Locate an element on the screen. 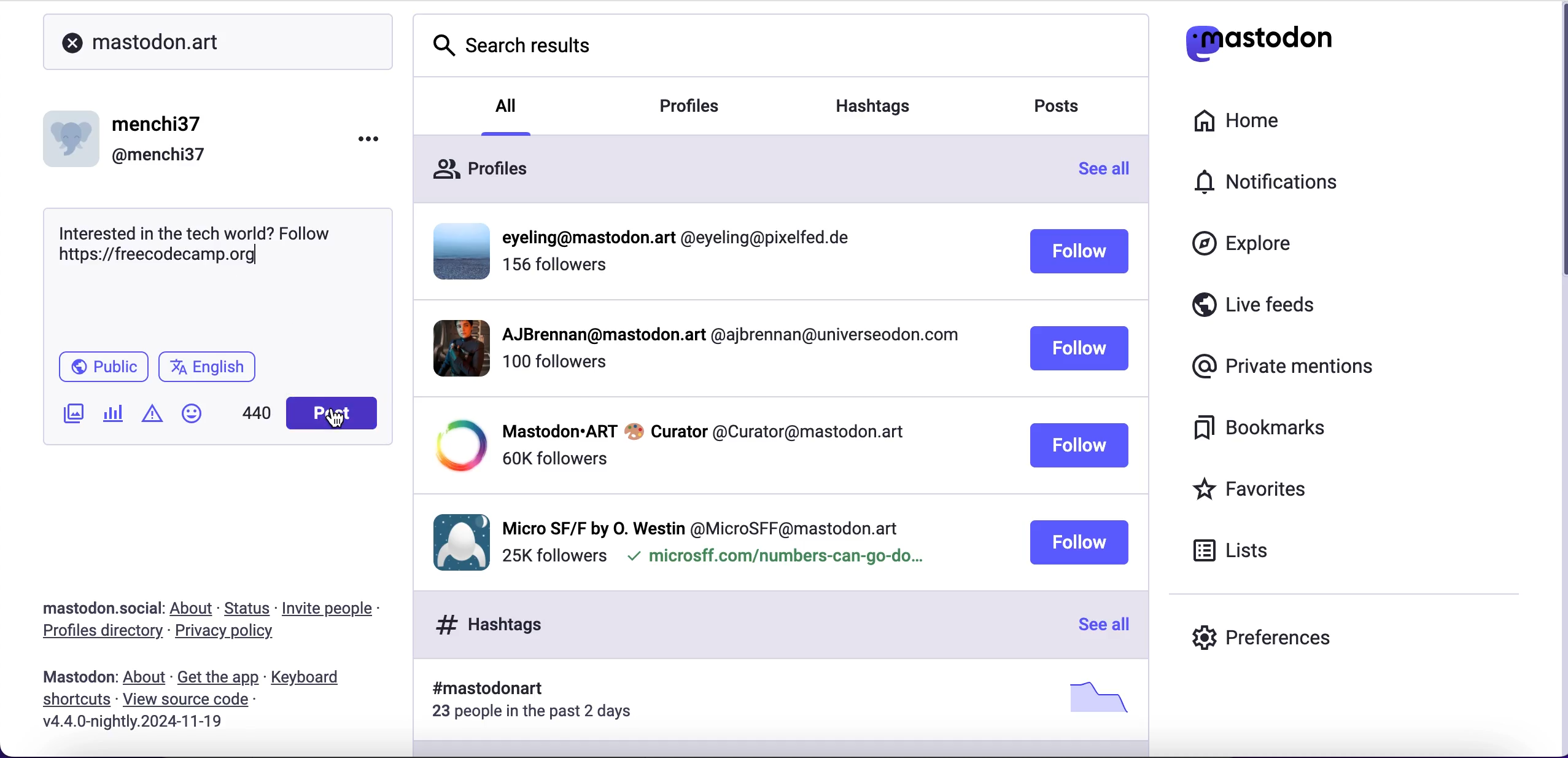  add poll is located at coordinates (117, 417).